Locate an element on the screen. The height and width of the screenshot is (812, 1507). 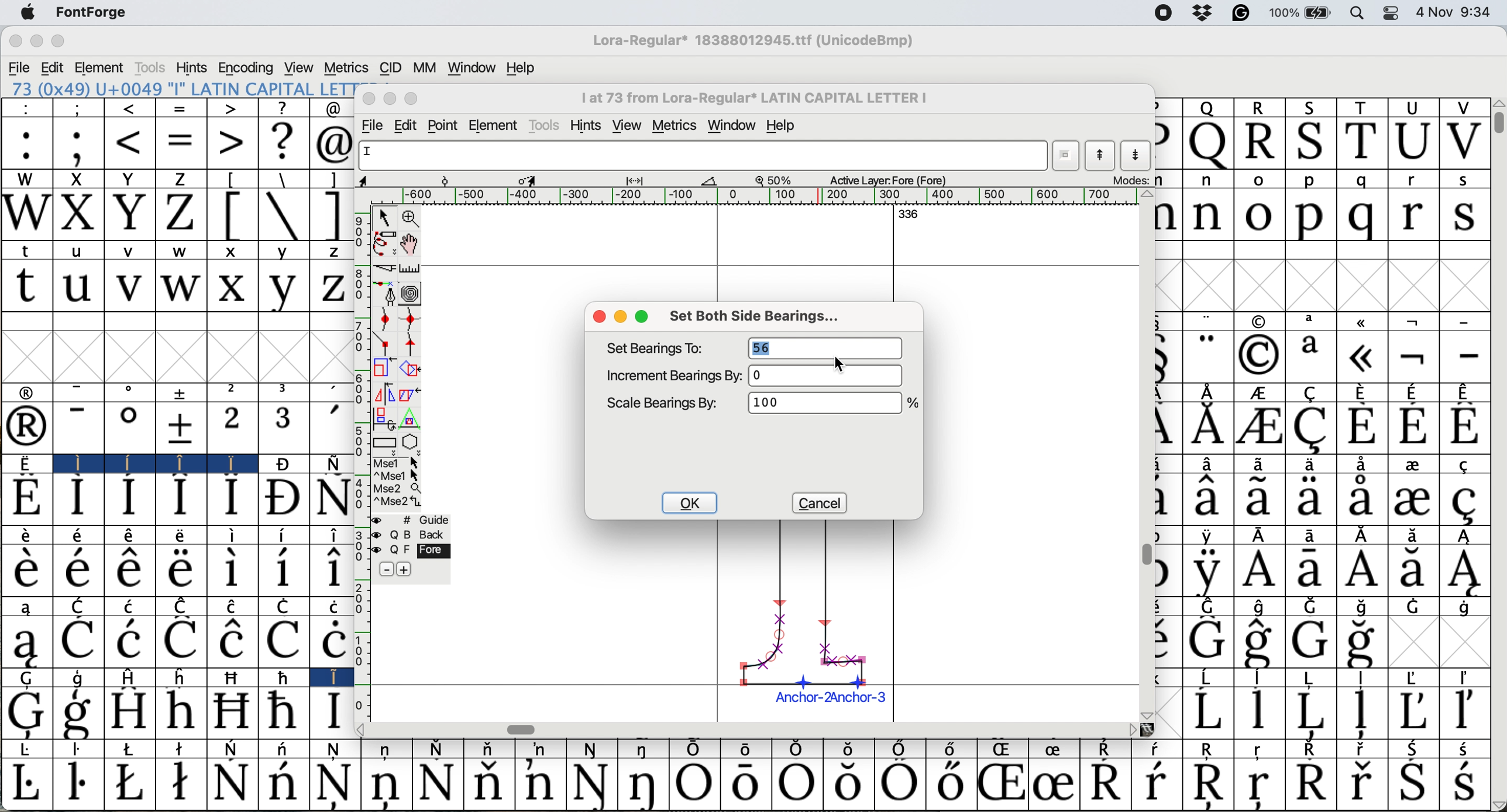
p is located at coordinates (1309, 216).